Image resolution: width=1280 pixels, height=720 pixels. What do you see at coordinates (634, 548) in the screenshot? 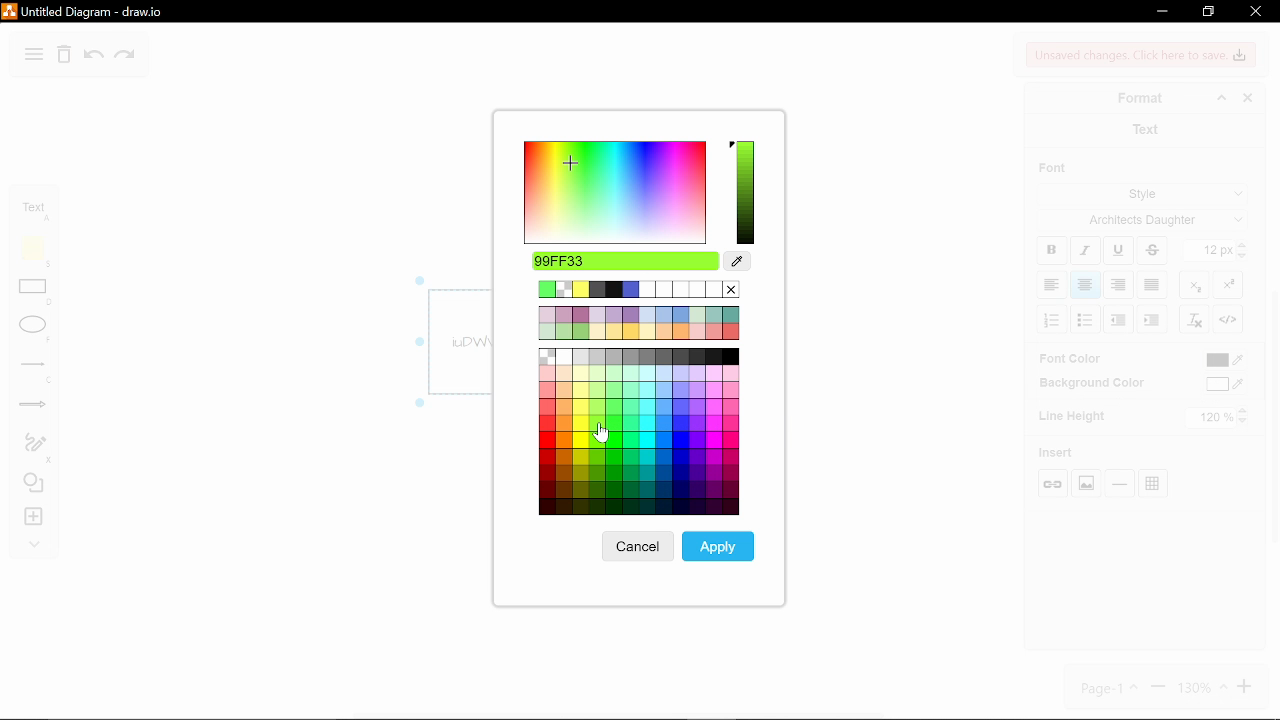
I see `cancel` at bounding box center [634, 548].